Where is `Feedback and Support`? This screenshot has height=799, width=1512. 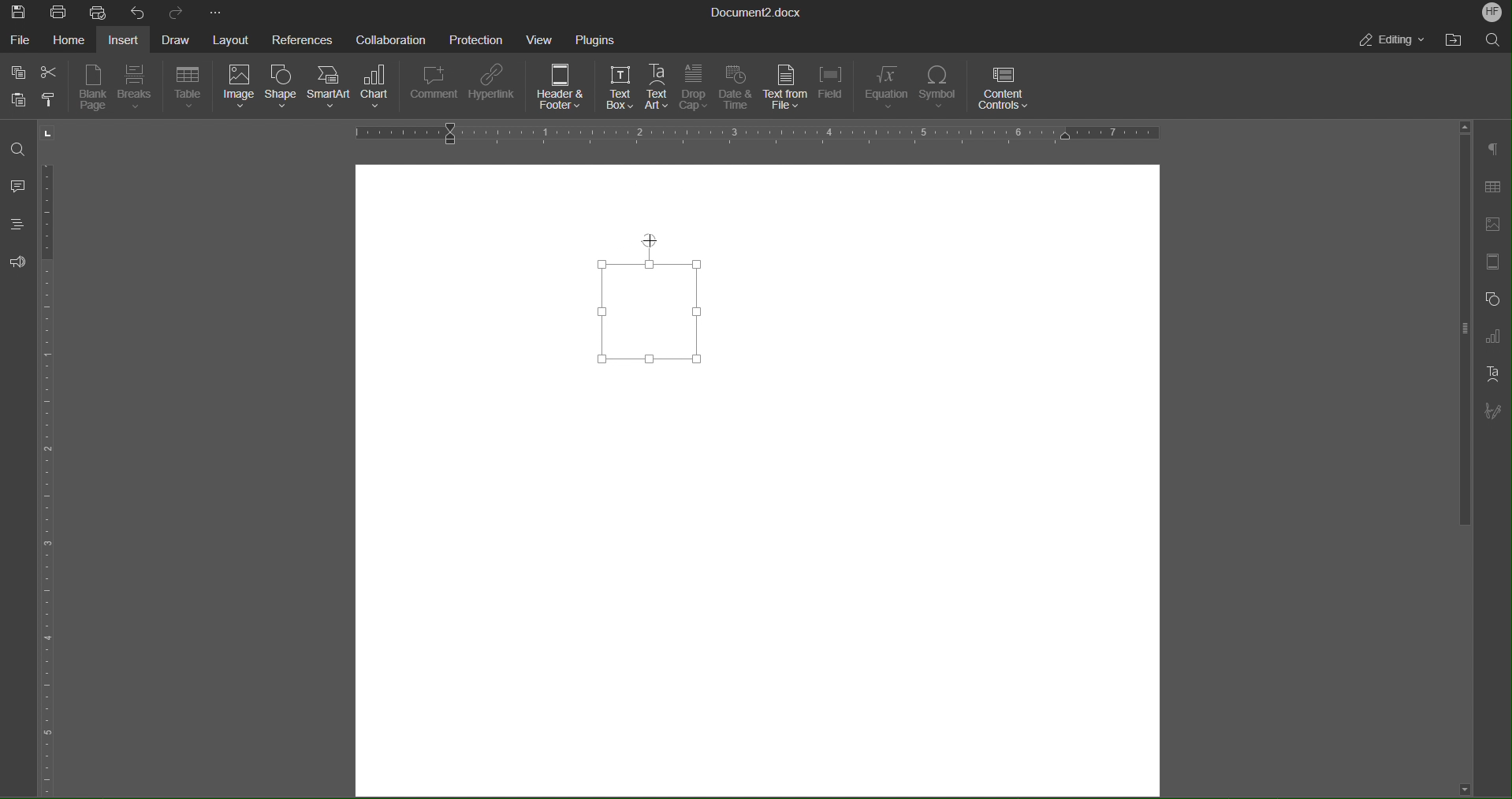 Feedback and Support is located at coordinates (17, 262).